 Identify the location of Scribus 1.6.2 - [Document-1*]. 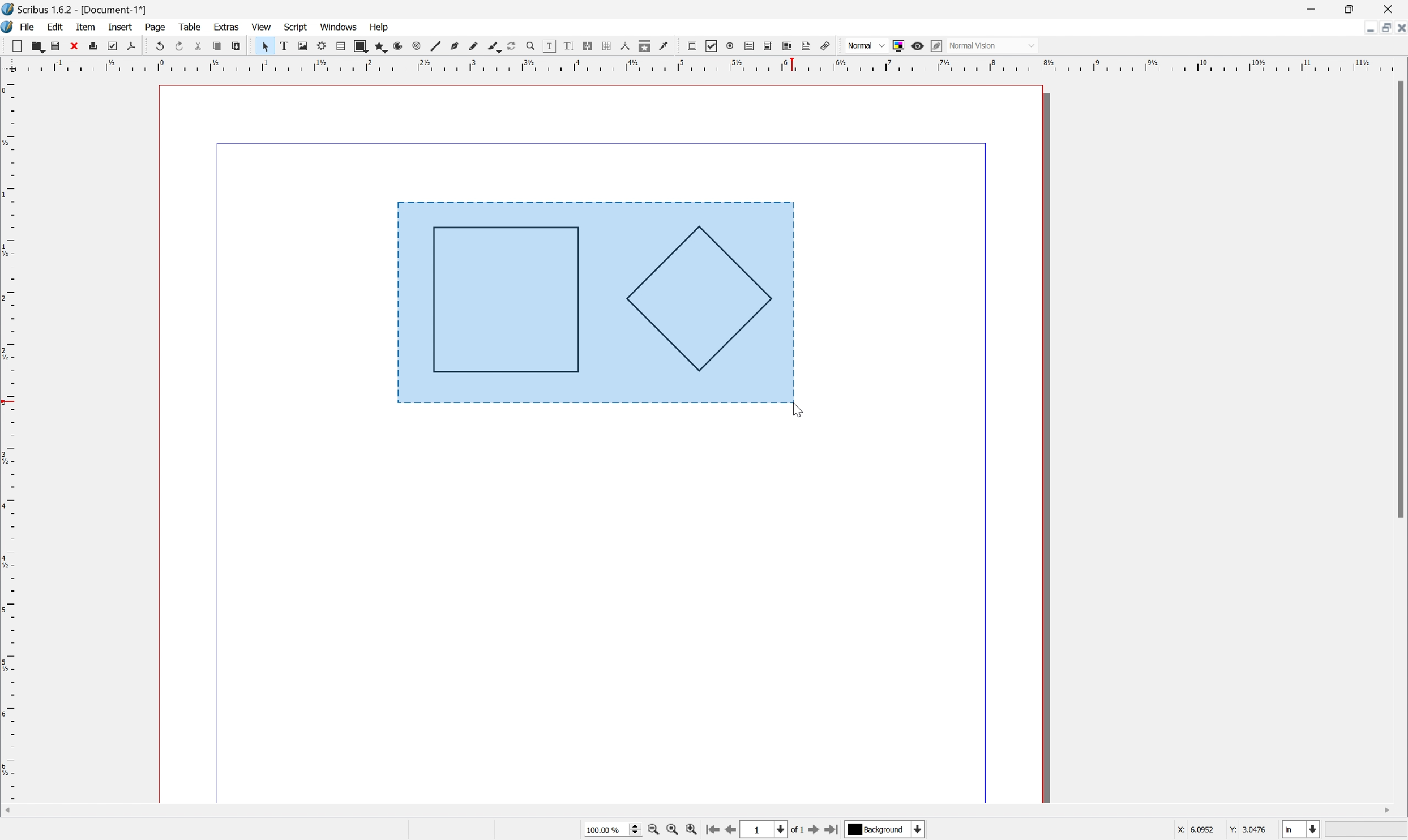
(90, 8).